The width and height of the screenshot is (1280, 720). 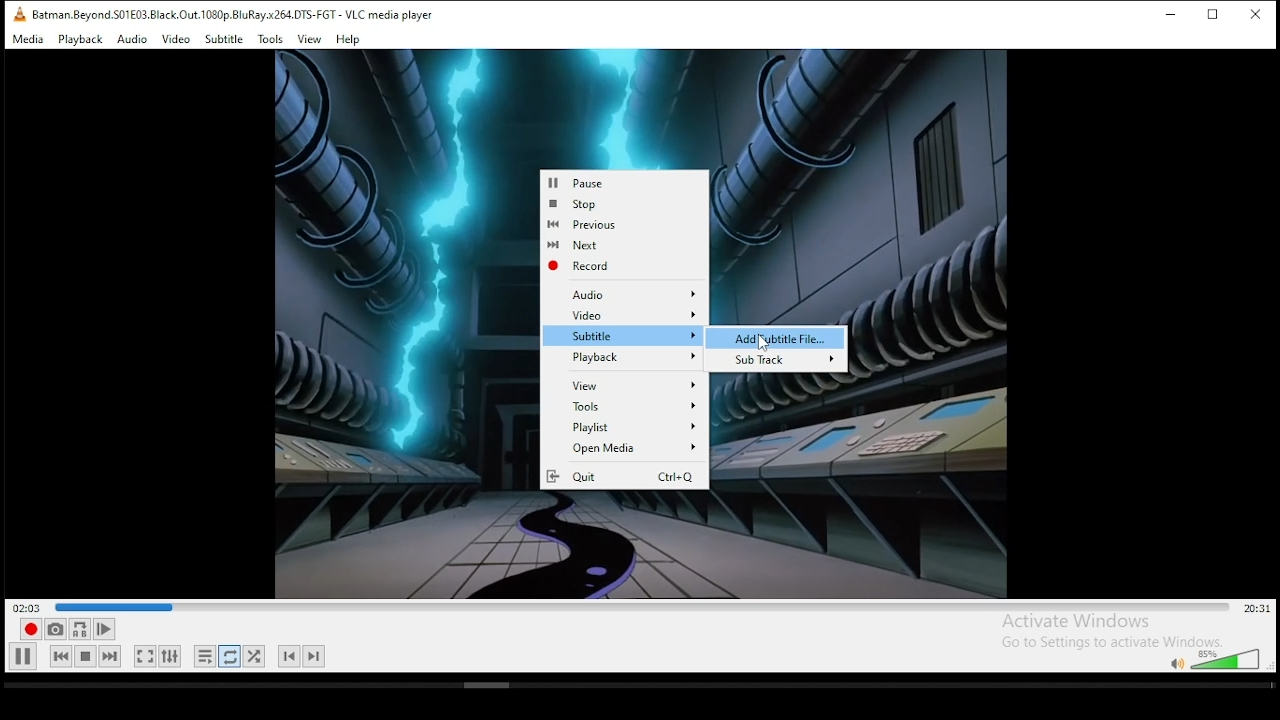 I want to click on elapsed time, so click(x=26, y=606).